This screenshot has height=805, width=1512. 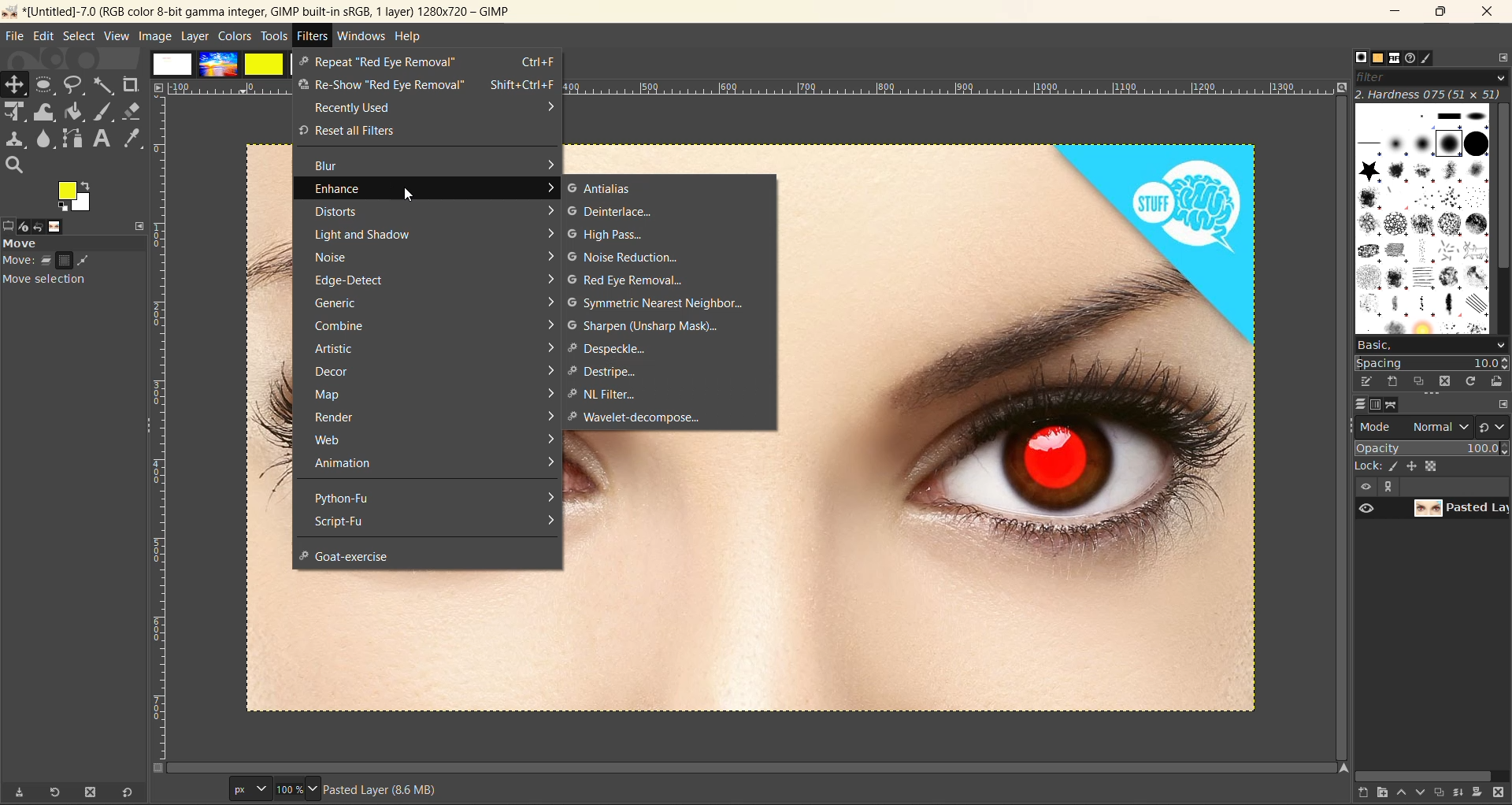 What do you see at coordinates (1442, 382) in the screenshot?
I see `delete this brush` at bounding box center [1442, 382].